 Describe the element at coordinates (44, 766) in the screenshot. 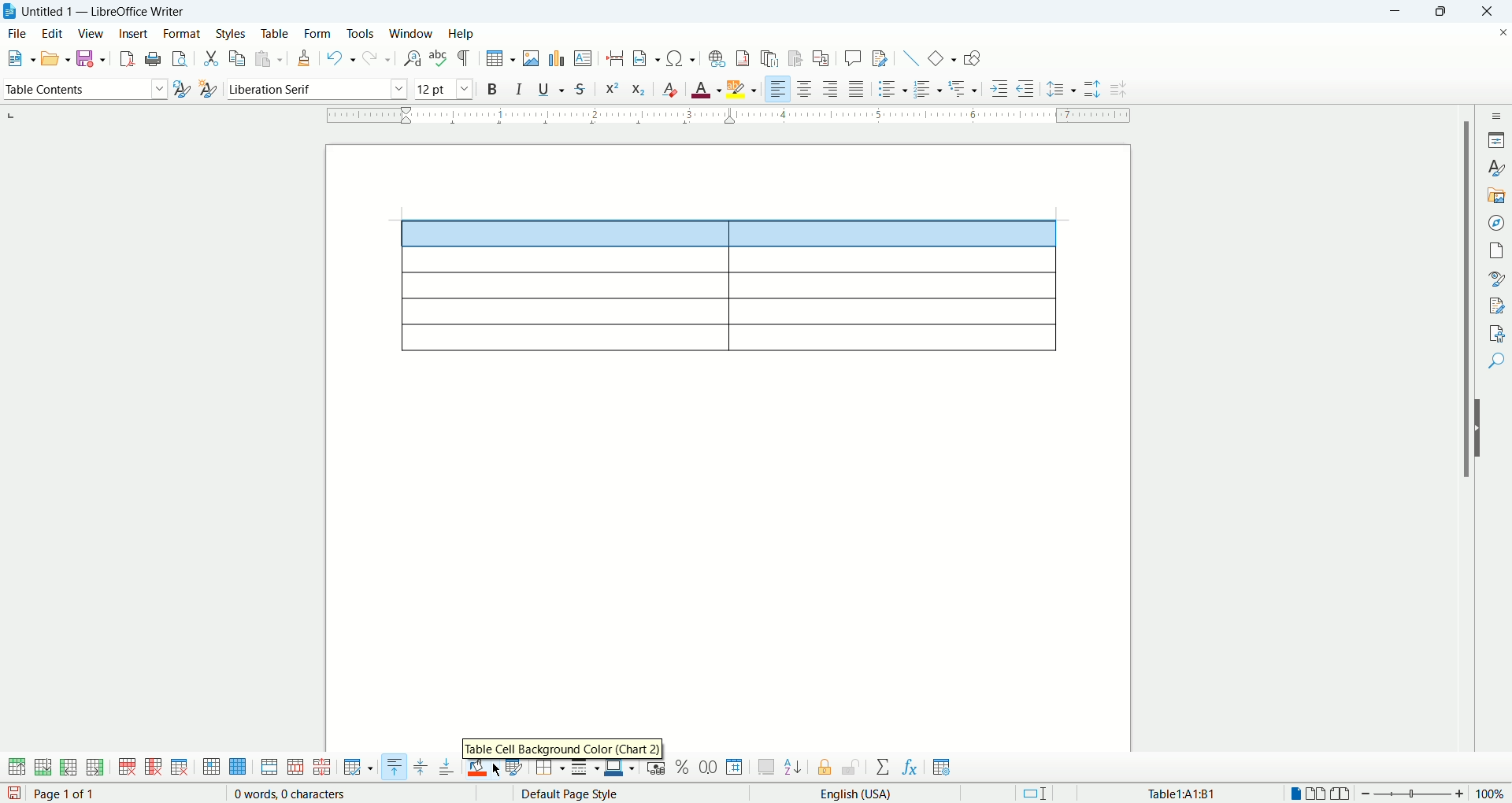

I see `insert row below` at that location.